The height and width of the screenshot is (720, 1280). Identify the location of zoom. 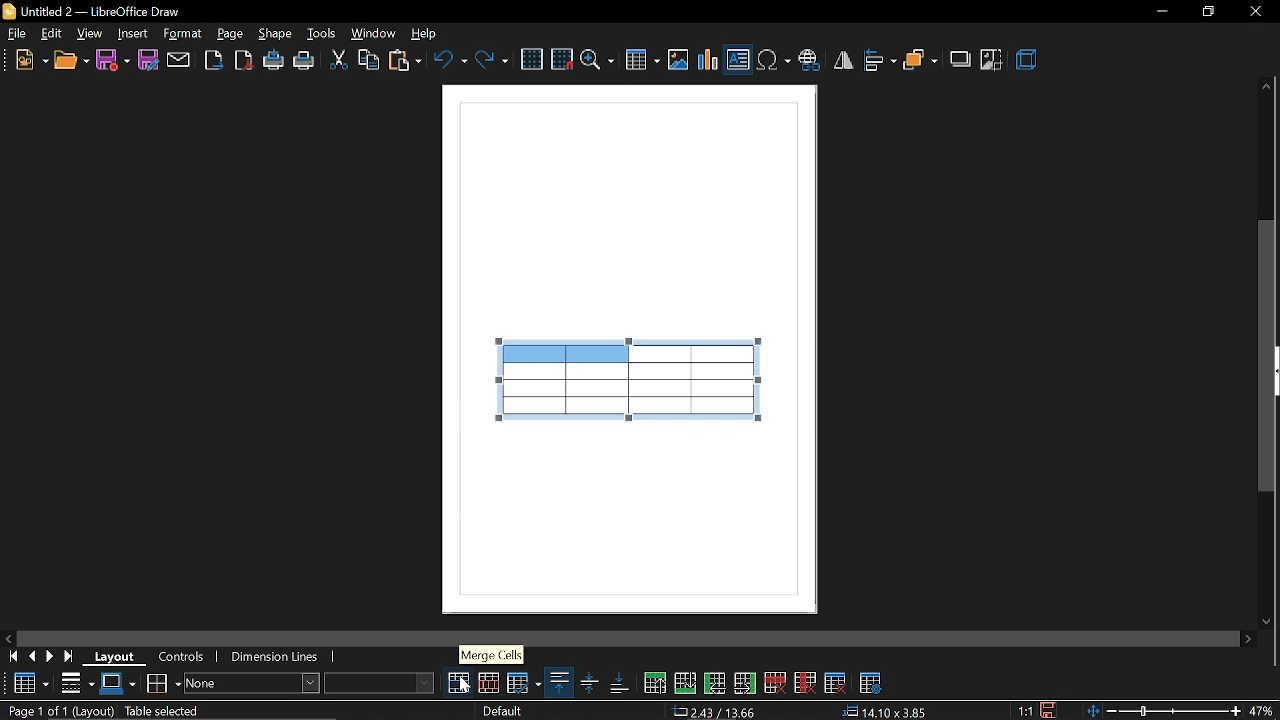
(598, 60).